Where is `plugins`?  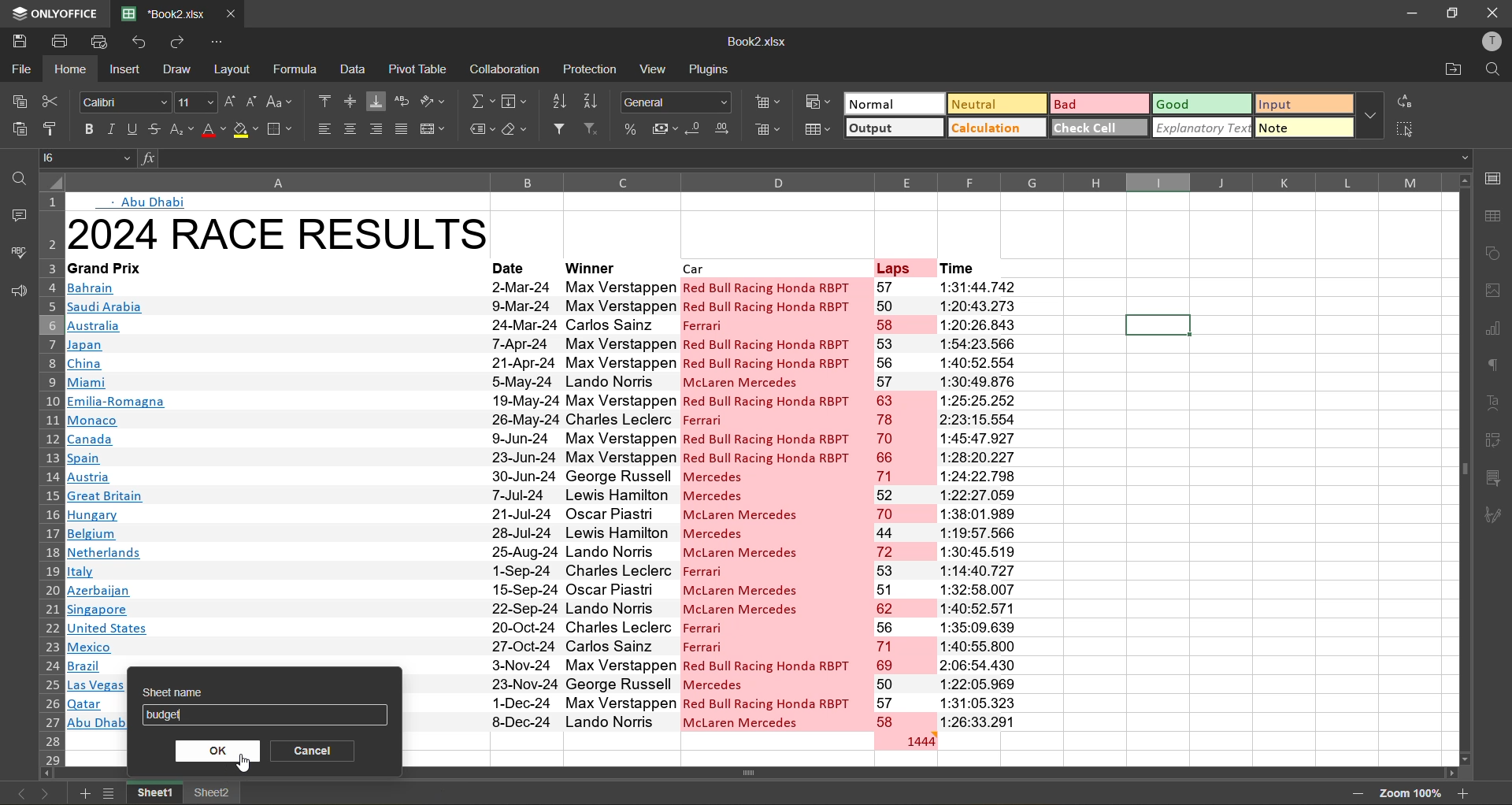 plugins is located at coordinates (709, 67).